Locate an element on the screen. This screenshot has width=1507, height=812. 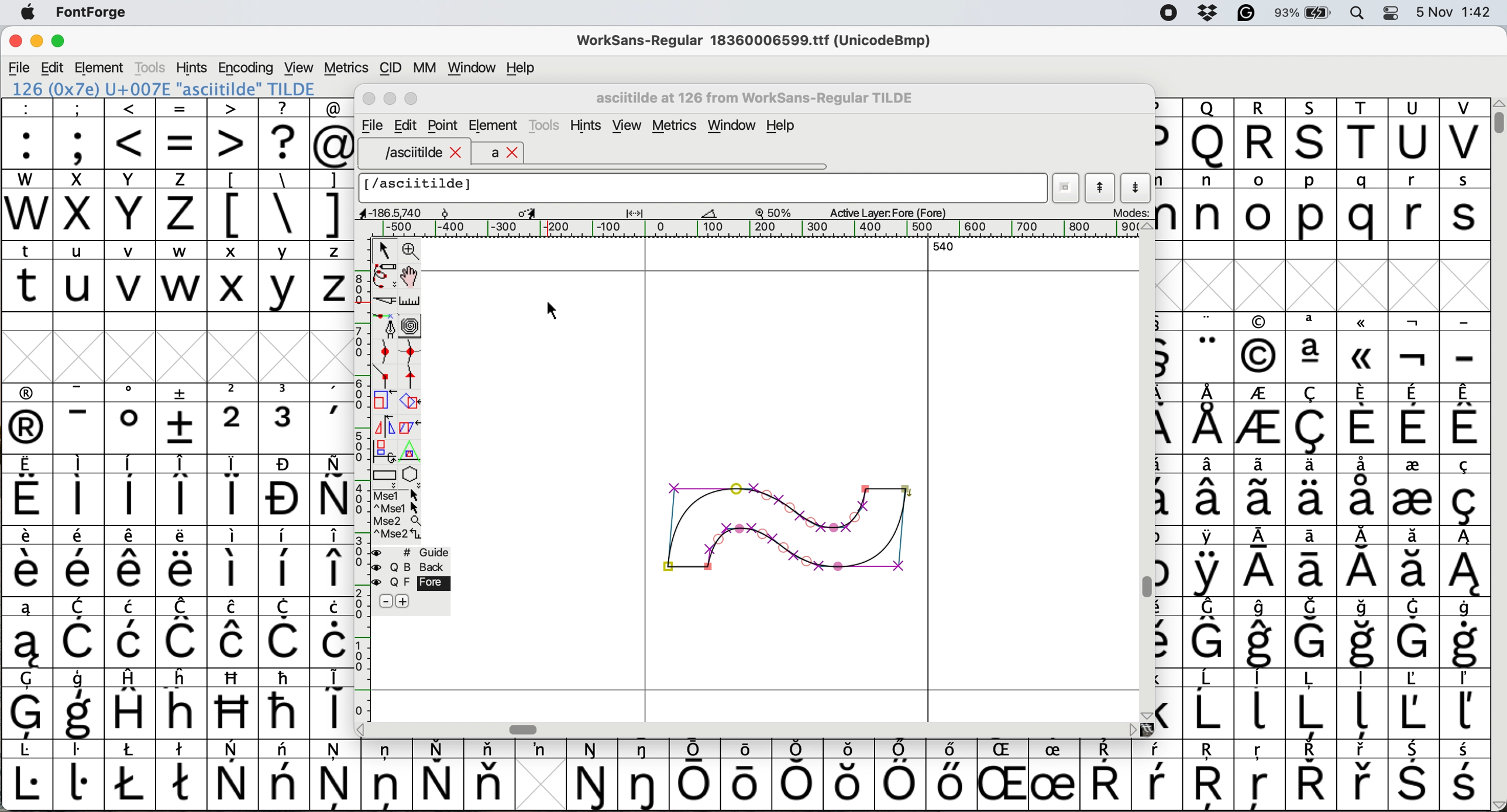
symbol is located at coordinates (1463, 704).